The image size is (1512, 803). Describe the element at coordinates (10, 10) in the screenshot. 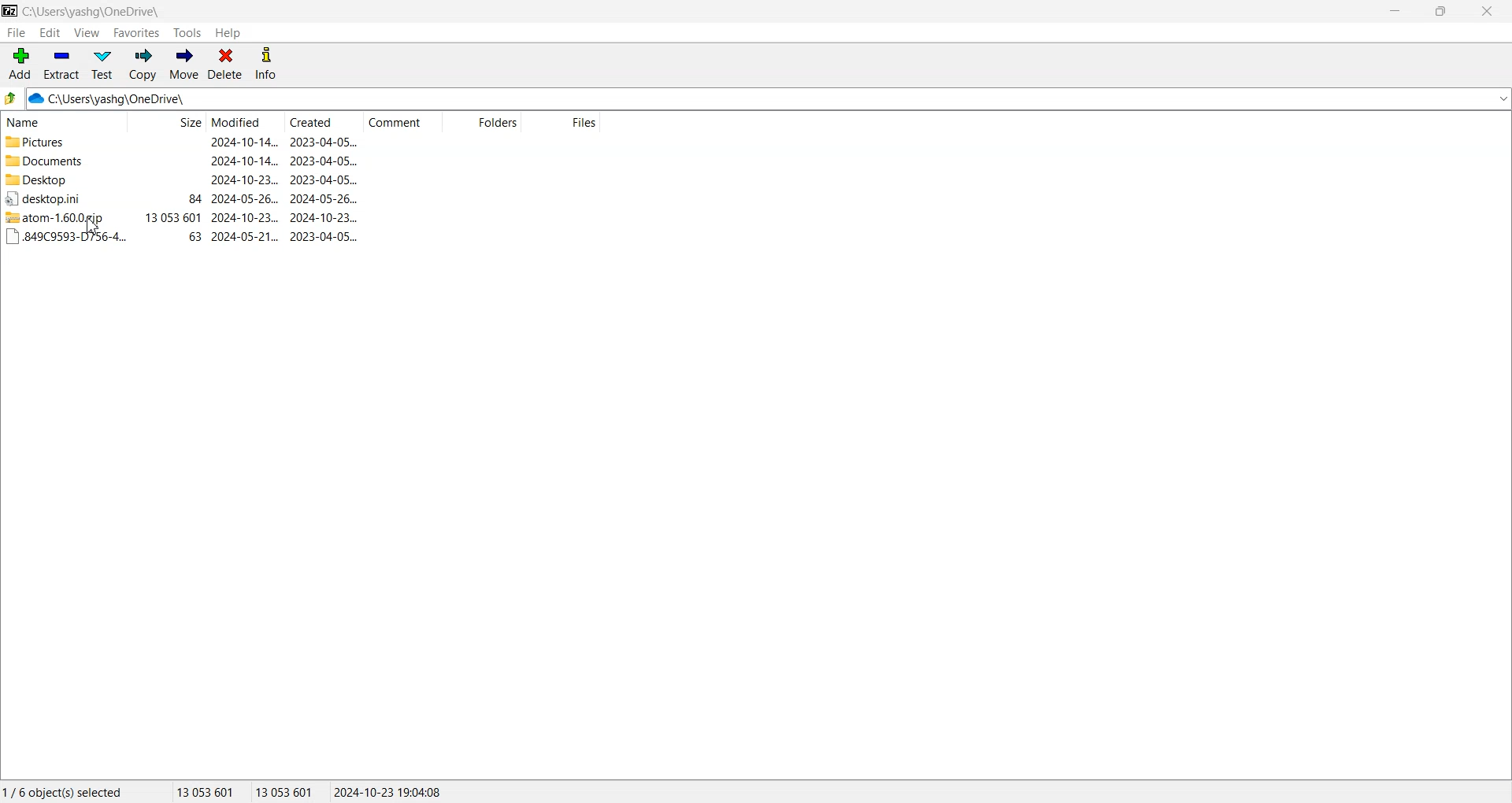

I see `Logo` at that location.